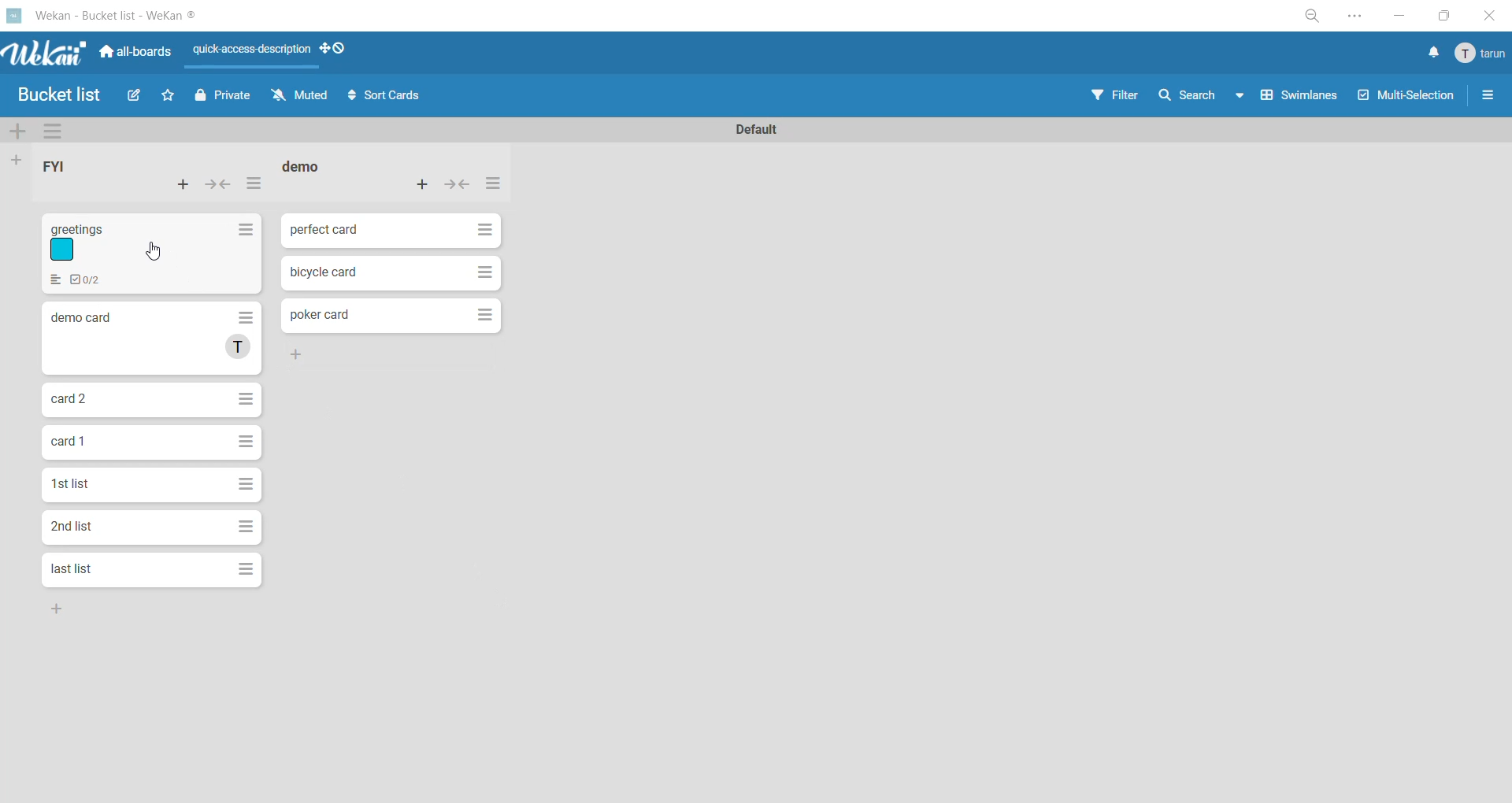  Describe the element at coordinates (1480, 54) in the screenshot. I see `tarun` at that location.